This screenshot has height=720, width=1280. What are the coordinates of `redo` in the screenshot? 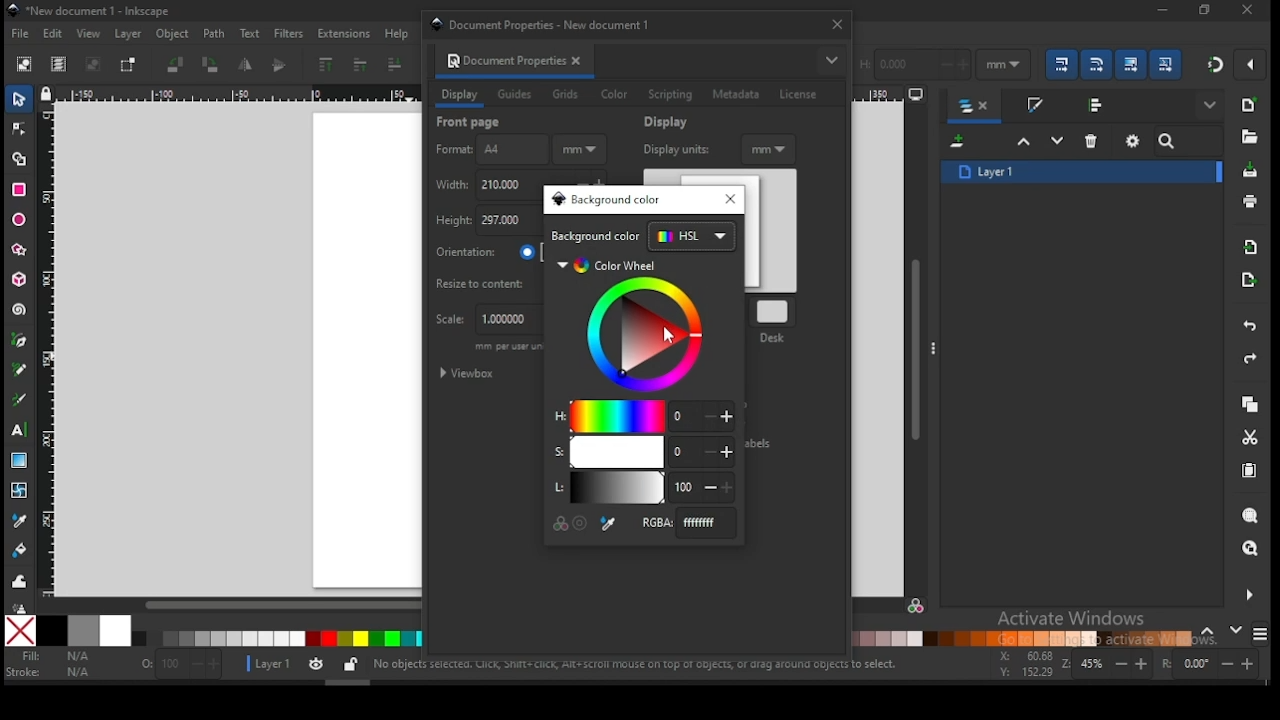 It's located at (1248, 360).